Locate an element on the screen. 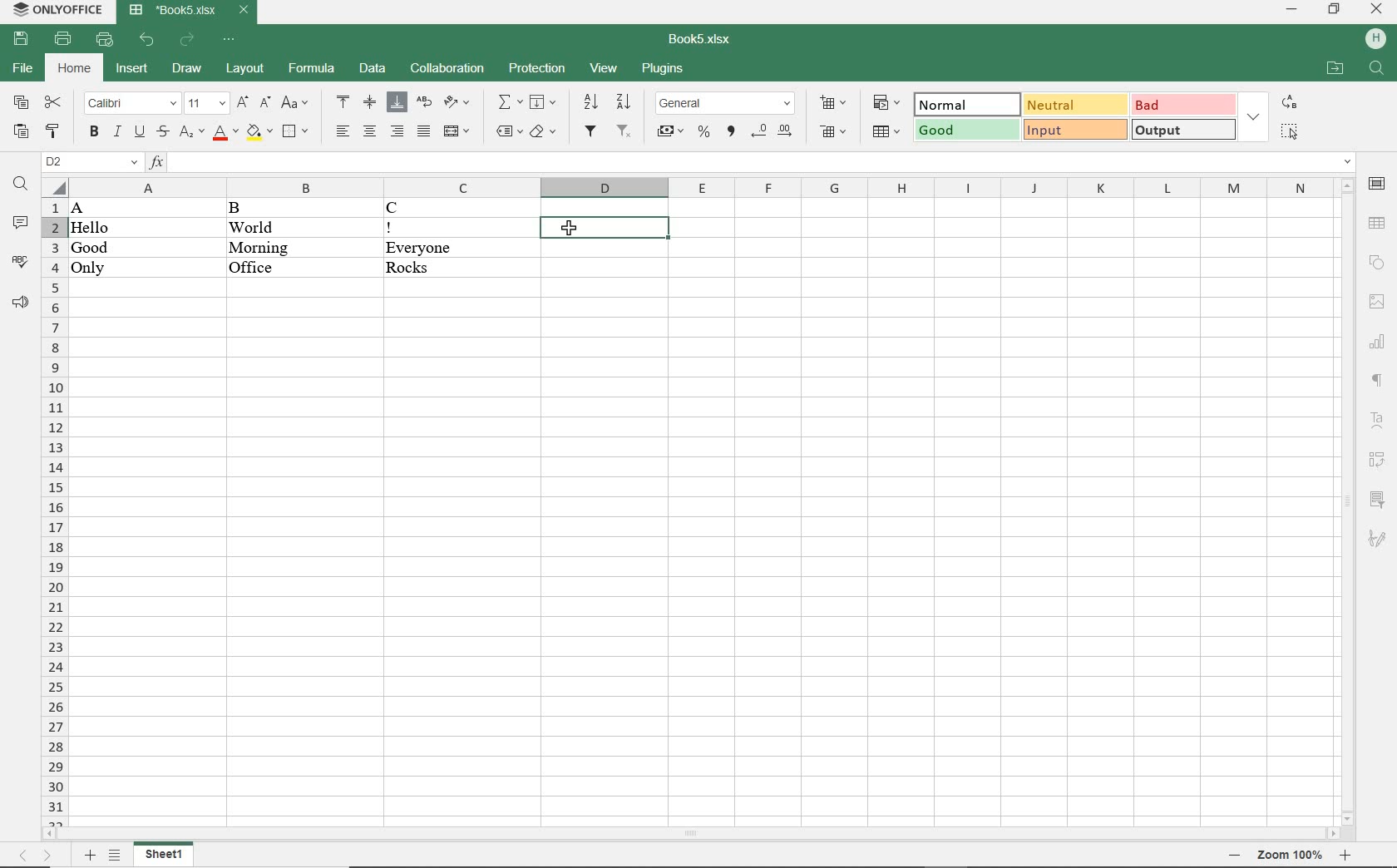 This screenshot has height=868, width=1397. Select All cells is located at coordinates (55, 186).